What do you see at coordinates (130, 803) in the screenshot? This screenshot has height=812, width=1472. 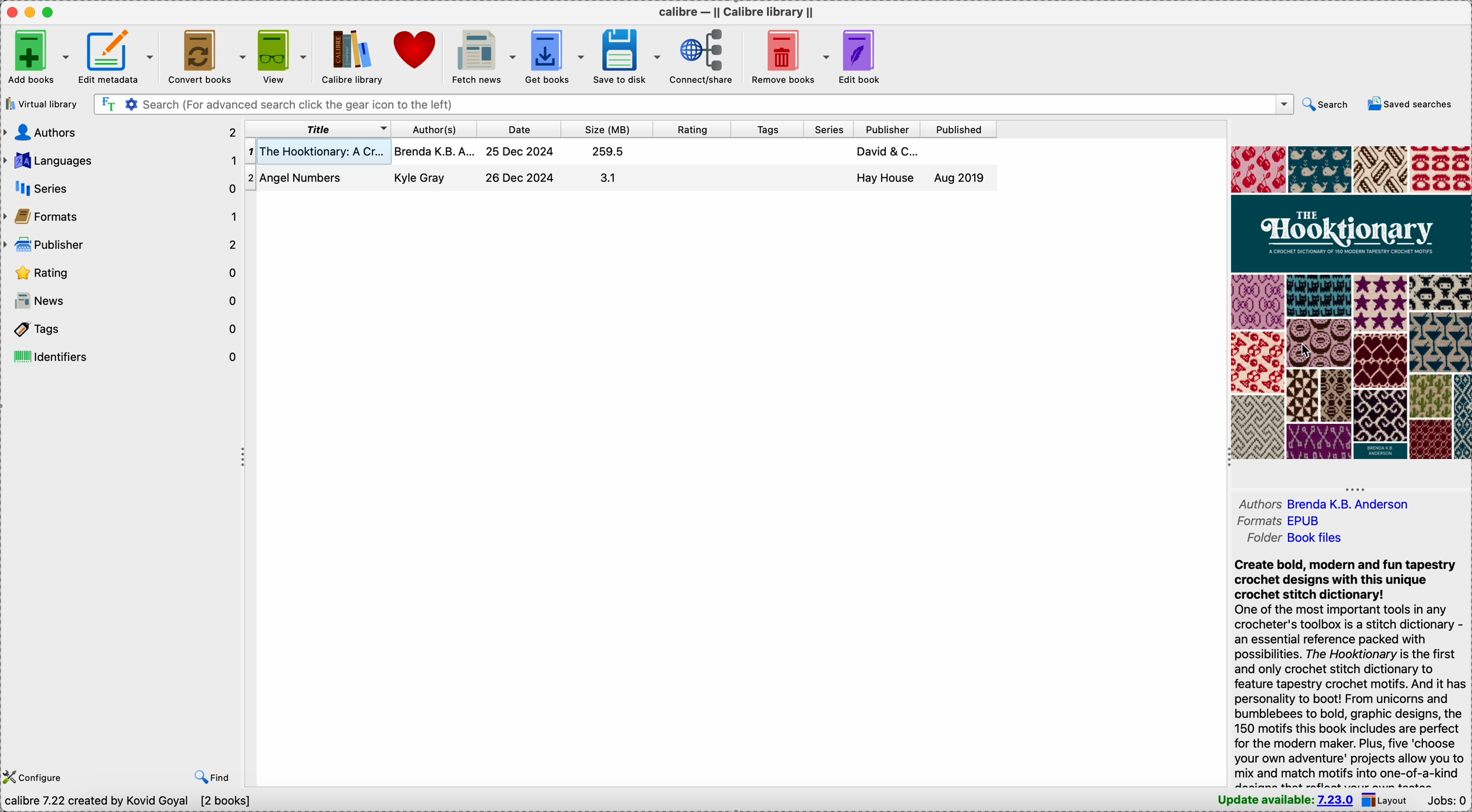 I see `data` at bounding box center [130, 803].